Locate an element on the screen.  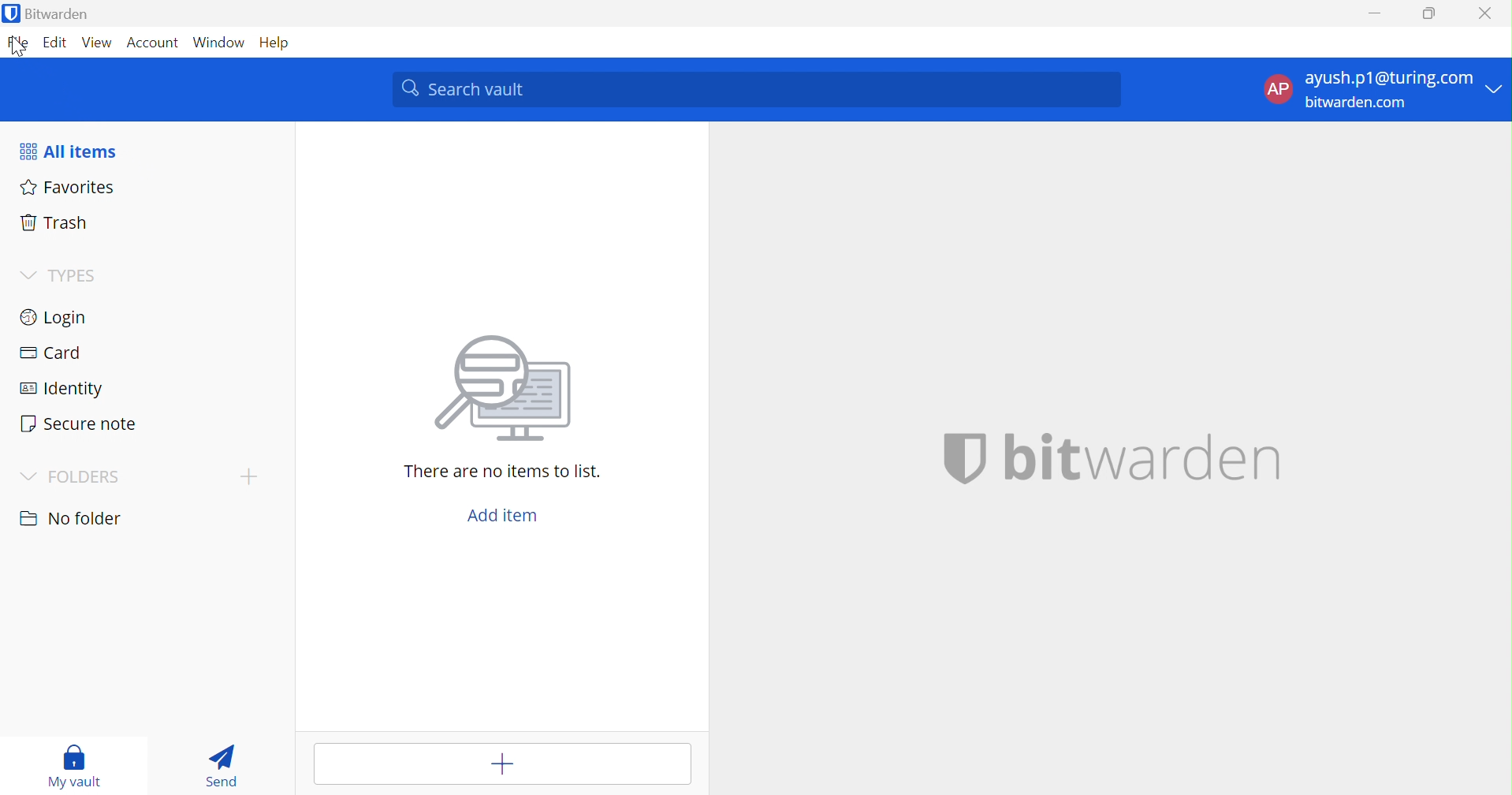
File is located at coordinates (18, 44).